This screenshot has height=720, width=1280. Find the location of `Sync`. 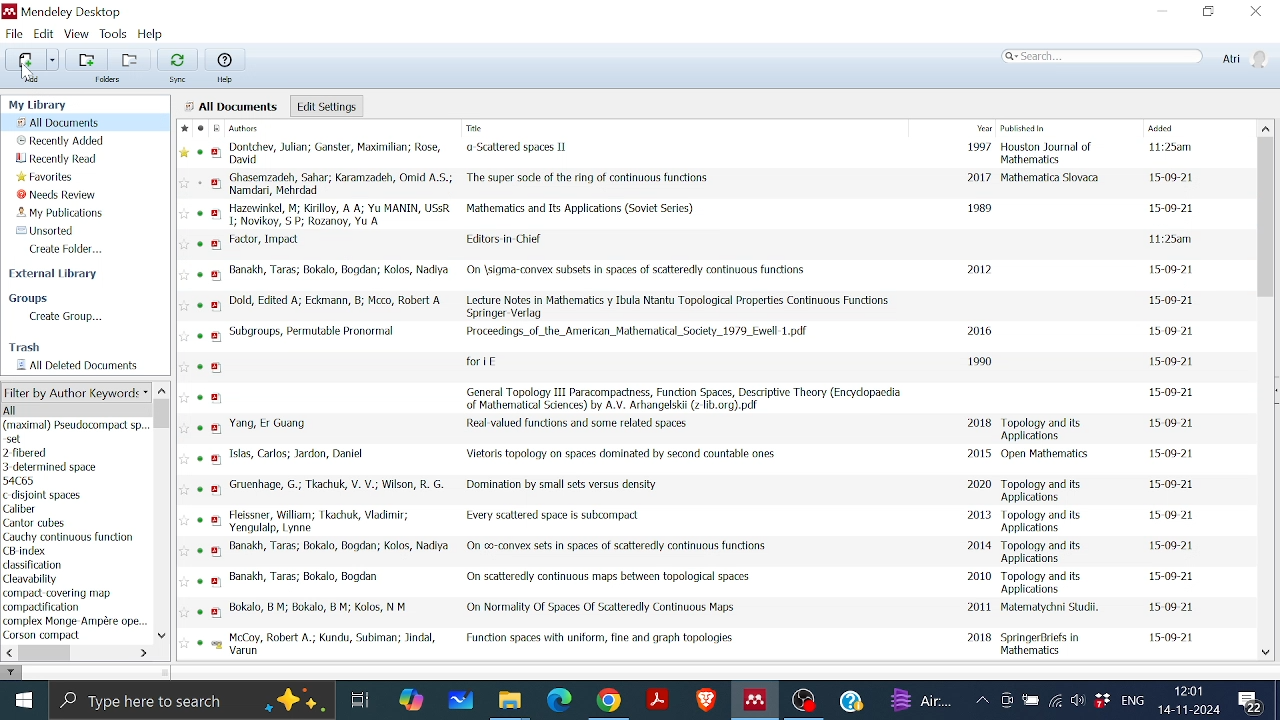

Sync is located at coordinates (178, 59).